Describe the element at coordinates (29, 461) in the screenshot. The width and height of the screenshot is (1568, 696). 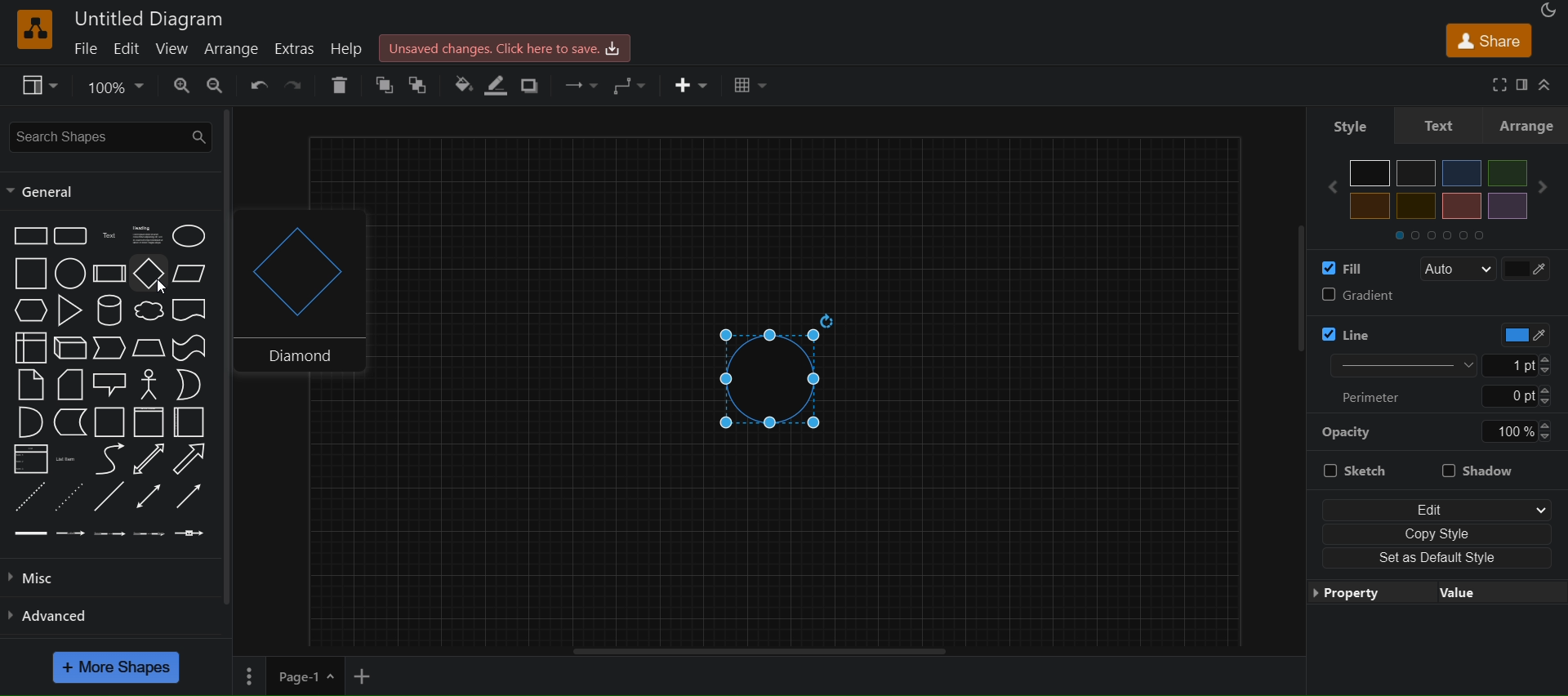
I see `list` at that location.